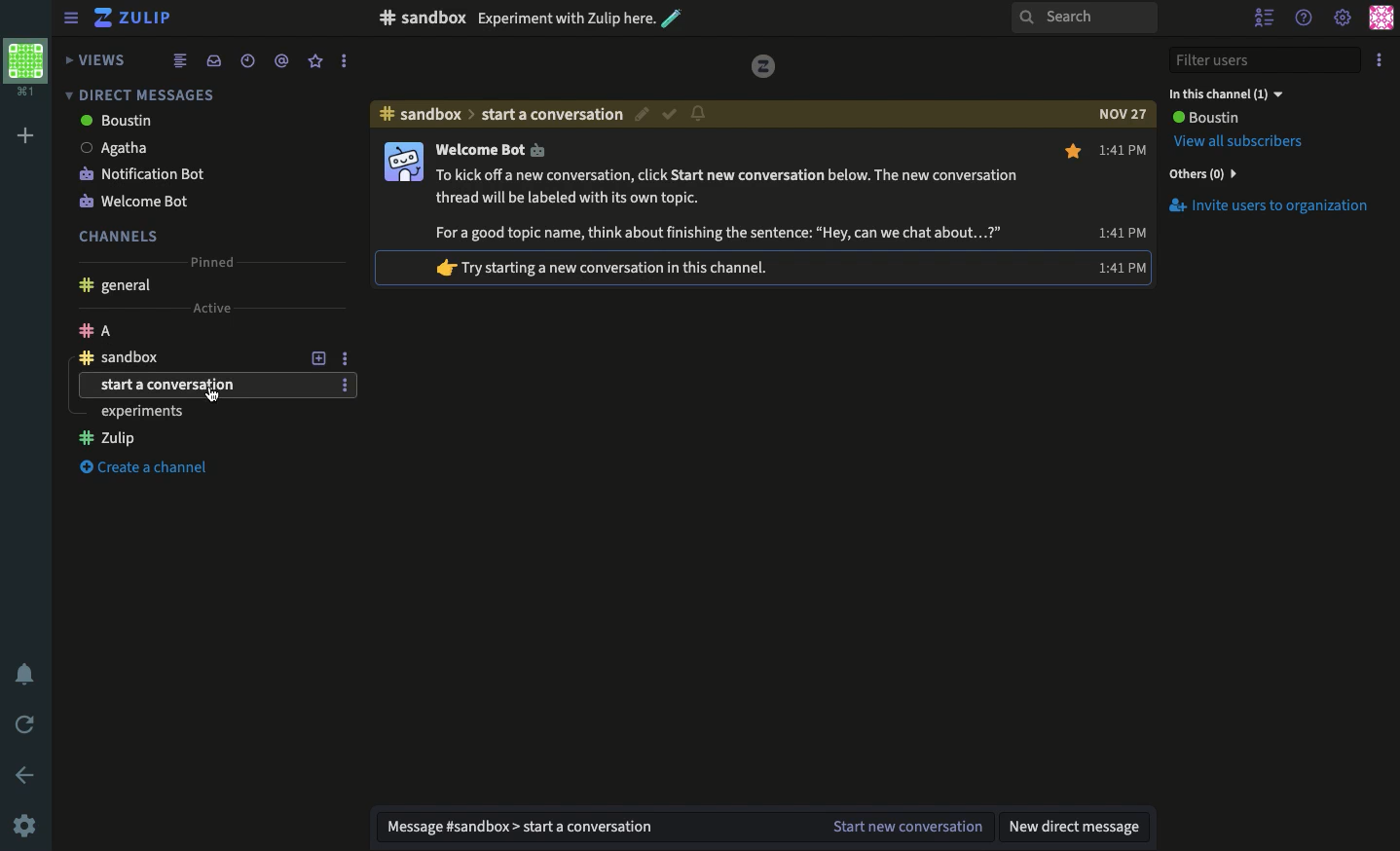  What do you see at coordinates (203, 386) in the screenshot?
I see `Start a conversation` at bounding box center [203, 386].